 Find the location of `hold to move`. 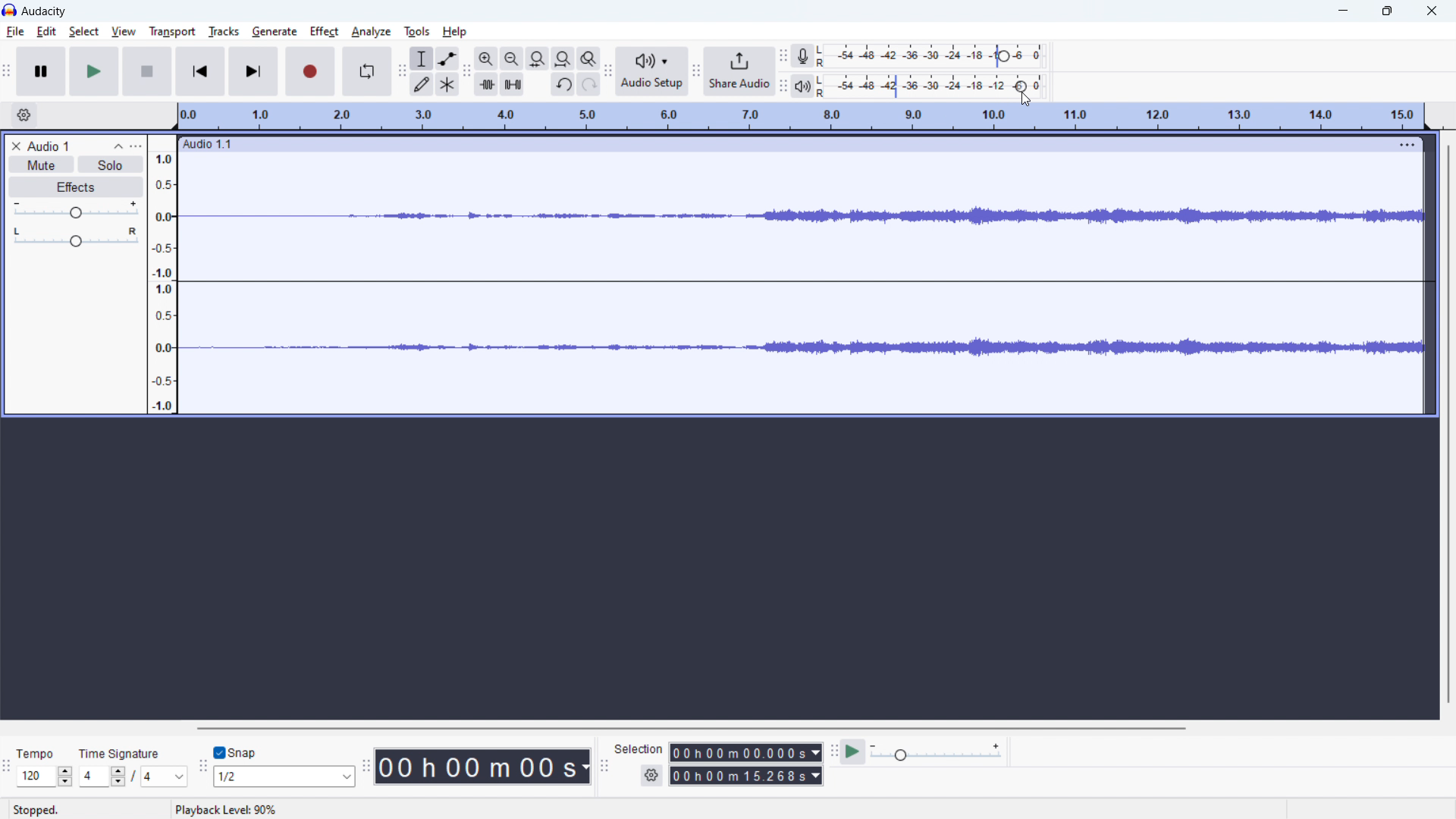

hold to move is located at coordinates (786, 143).